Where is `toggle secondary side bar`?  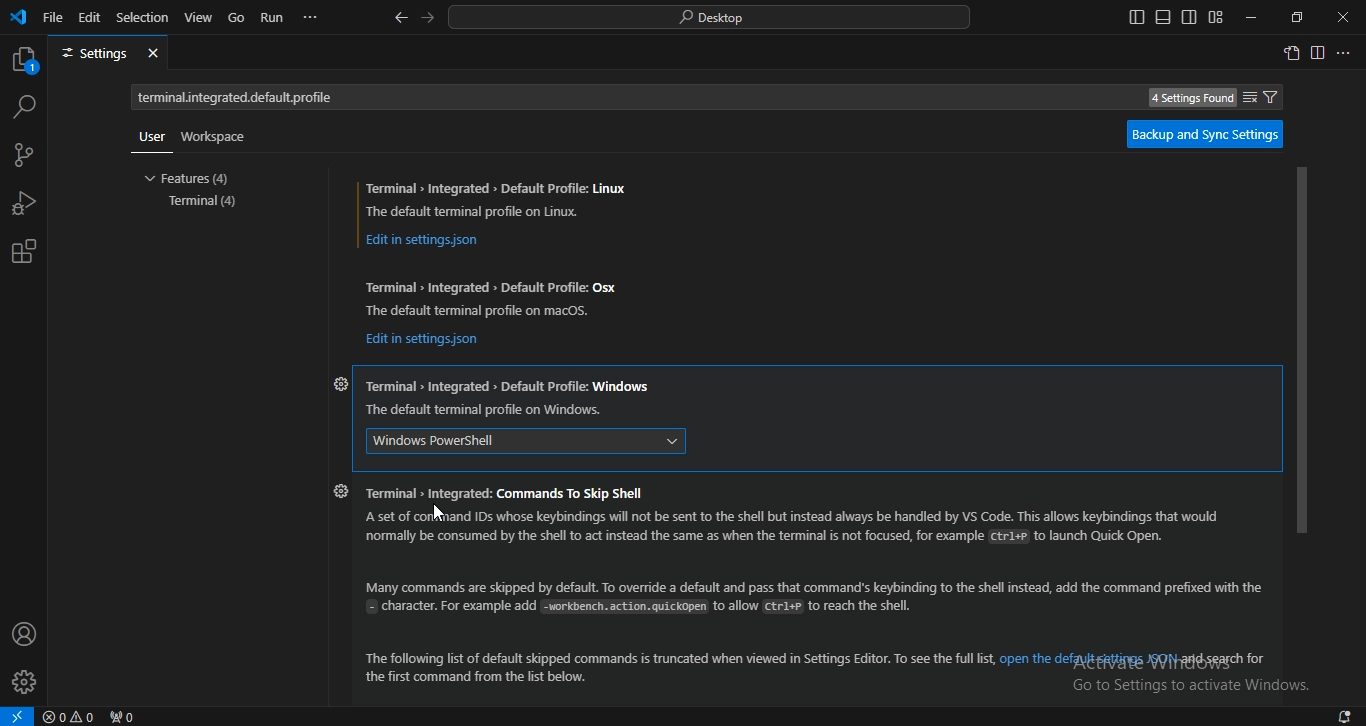
toggle secondary side bar is located at coordinates (1188, 16).